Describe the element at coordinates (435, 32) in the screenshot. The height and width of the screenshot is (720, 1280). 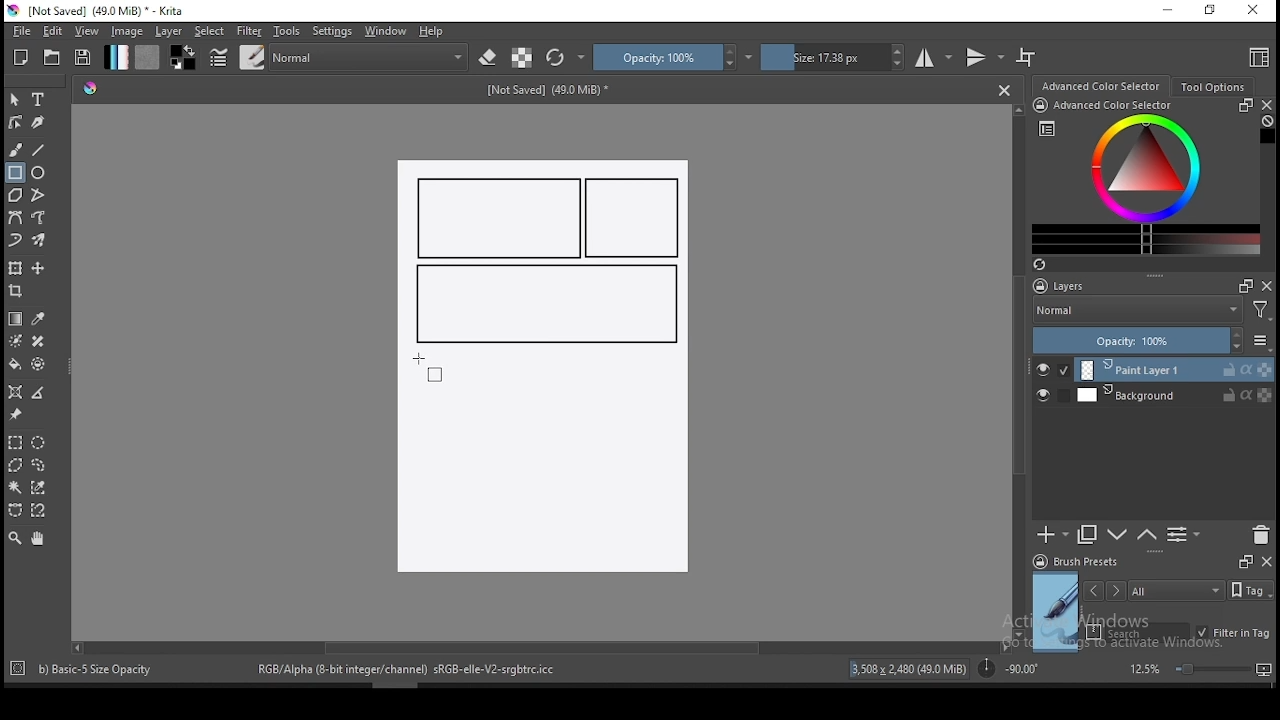
I see `help` at that location.